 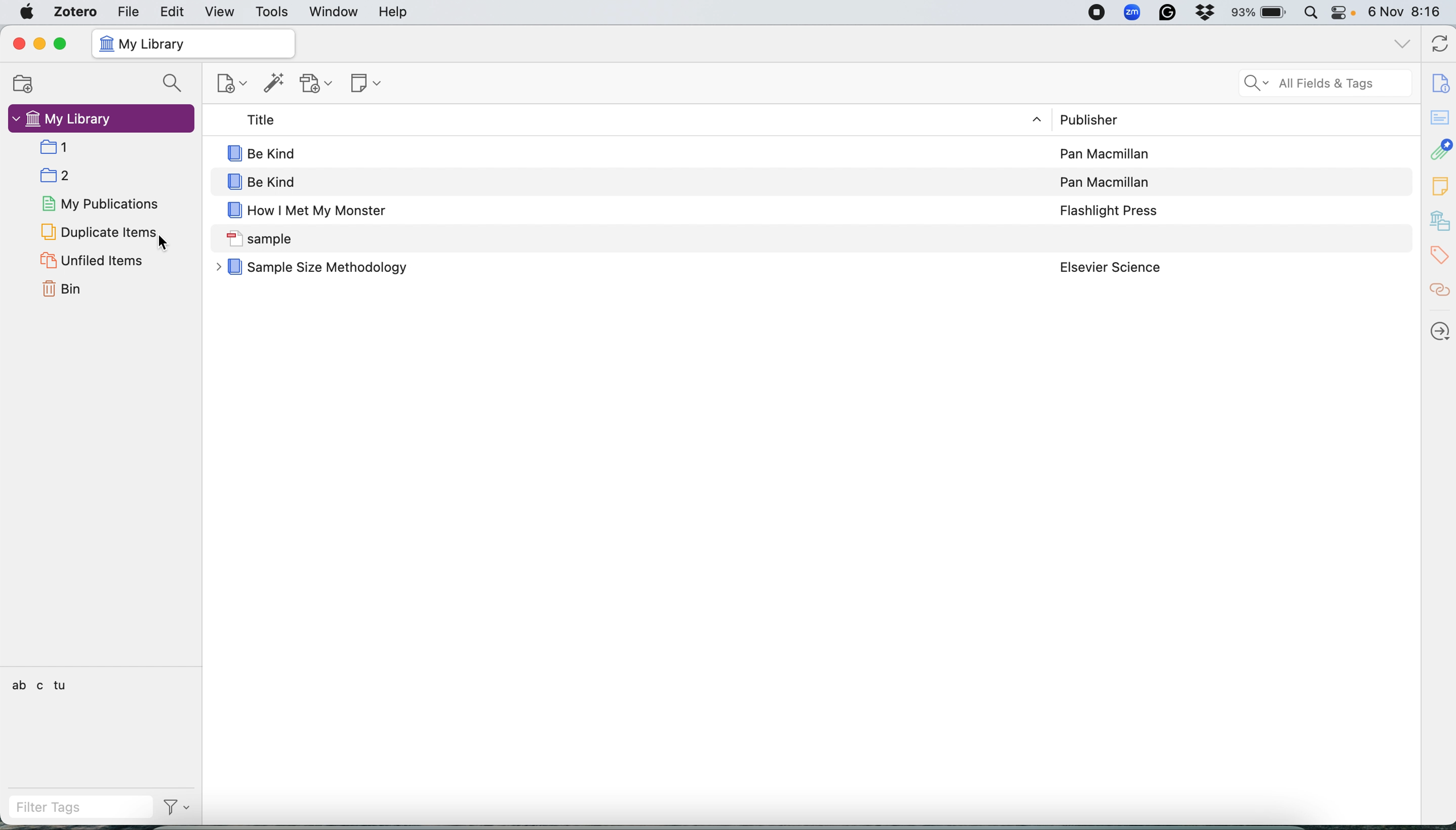 What do you see at coordinates (1326, 83) in the screenshot?
I see `search fields and tags` at bounding box center [1326, 83].